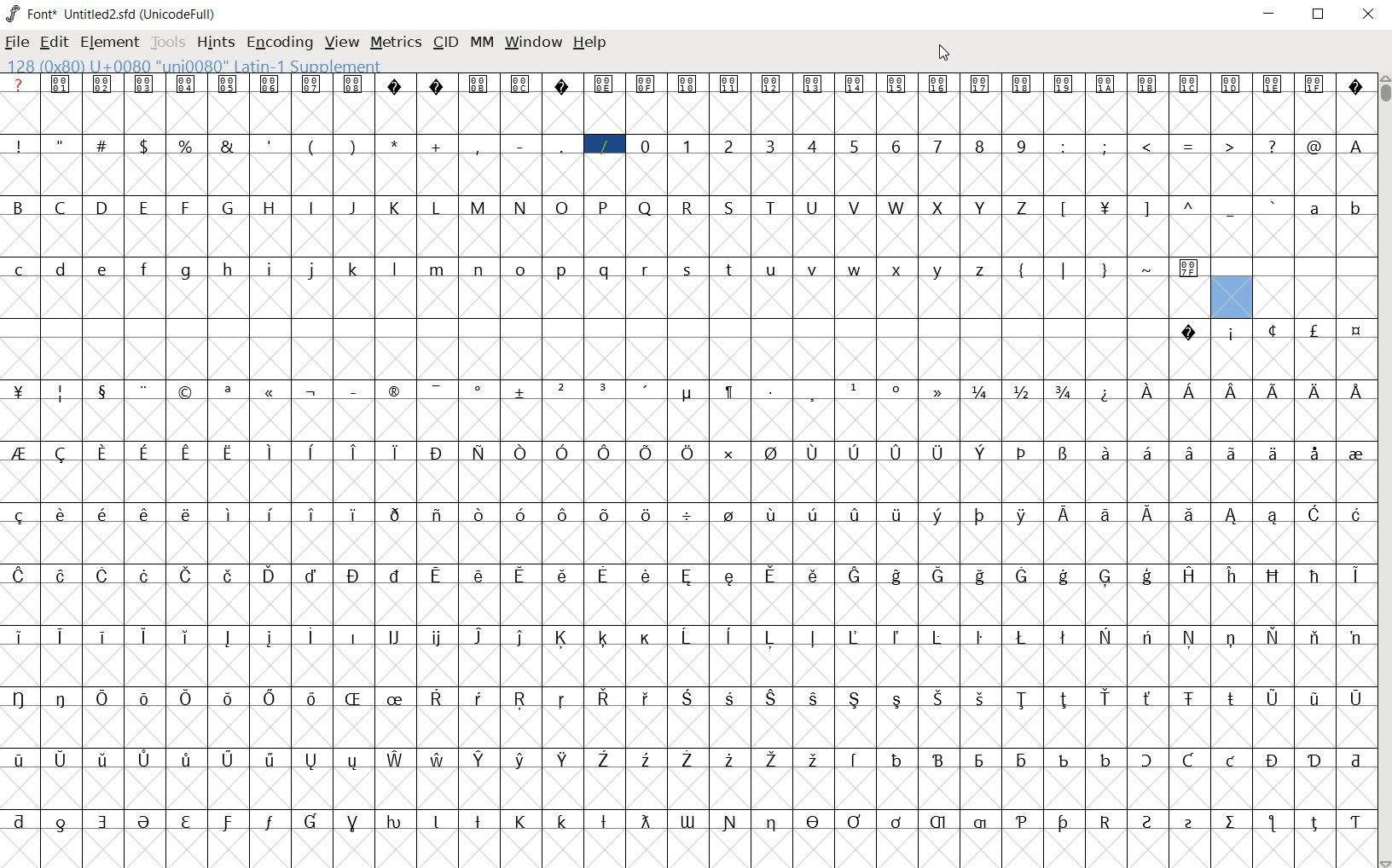 The height and width of the screenshot is (868, 1392). I want to click on glyph, so click(478, 516).